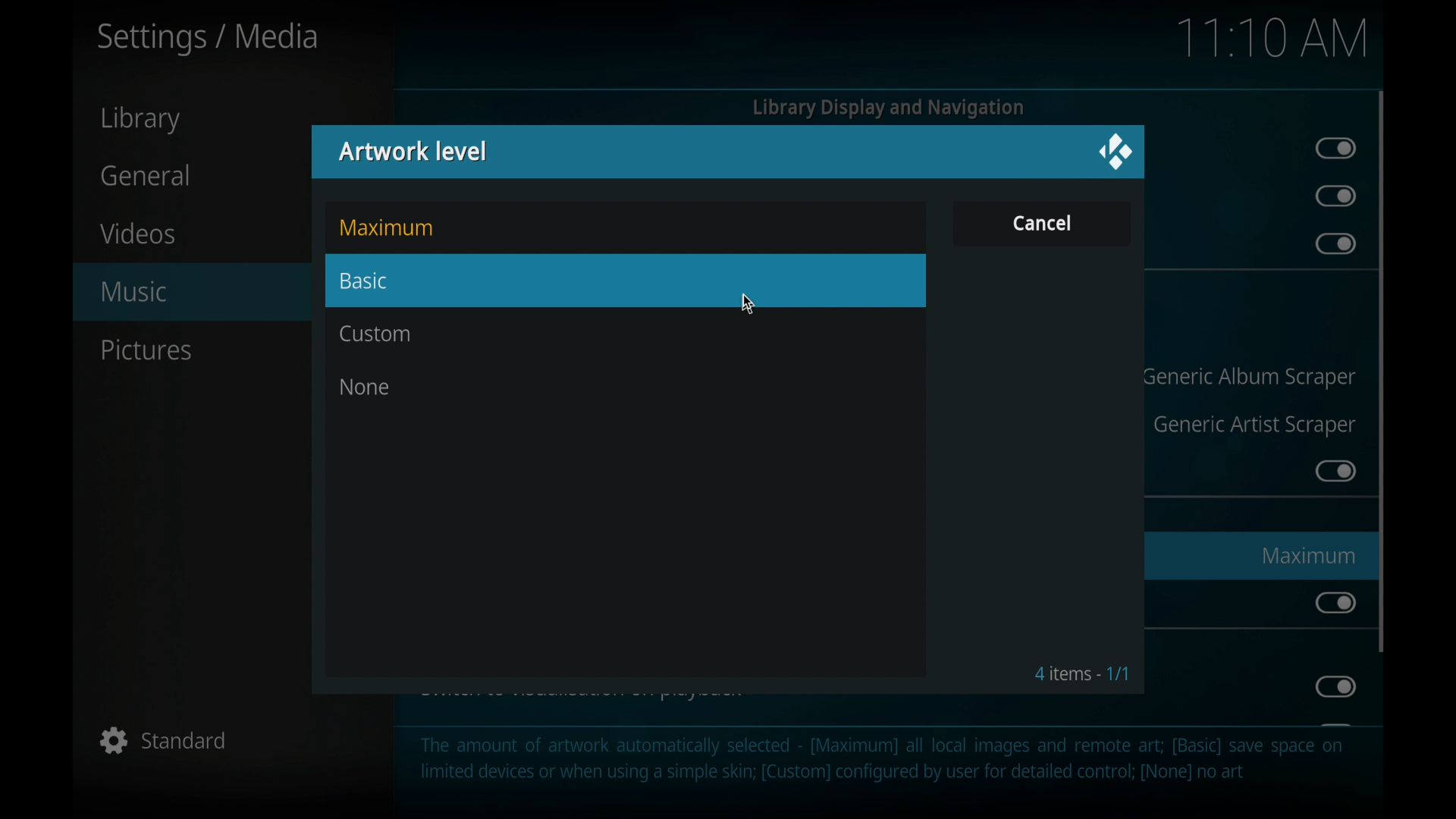  I want to click on cursor, so click(748, 305).